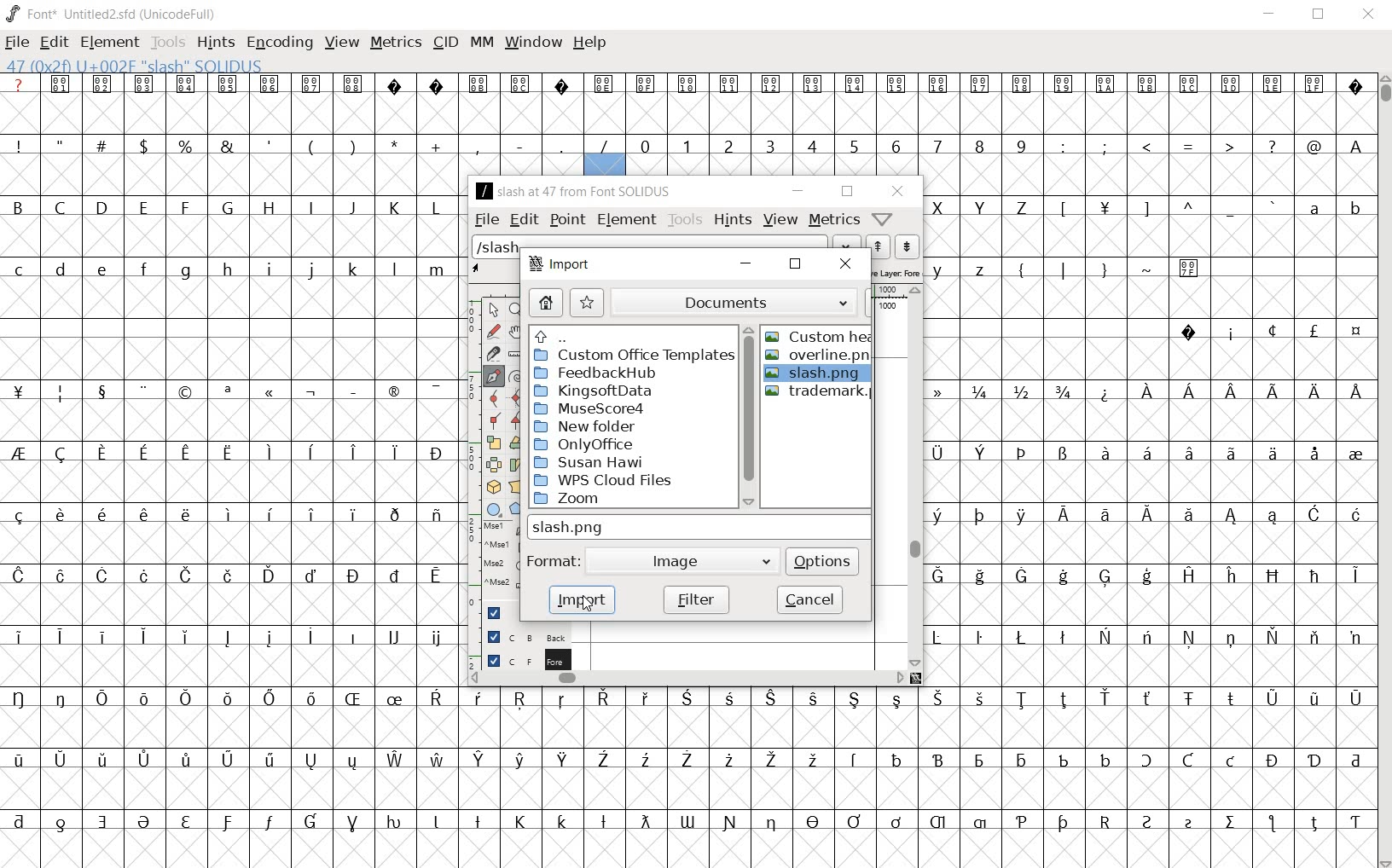  Describe the element at coordinates (520, 635) in the screenshot. I see `background` at that location.